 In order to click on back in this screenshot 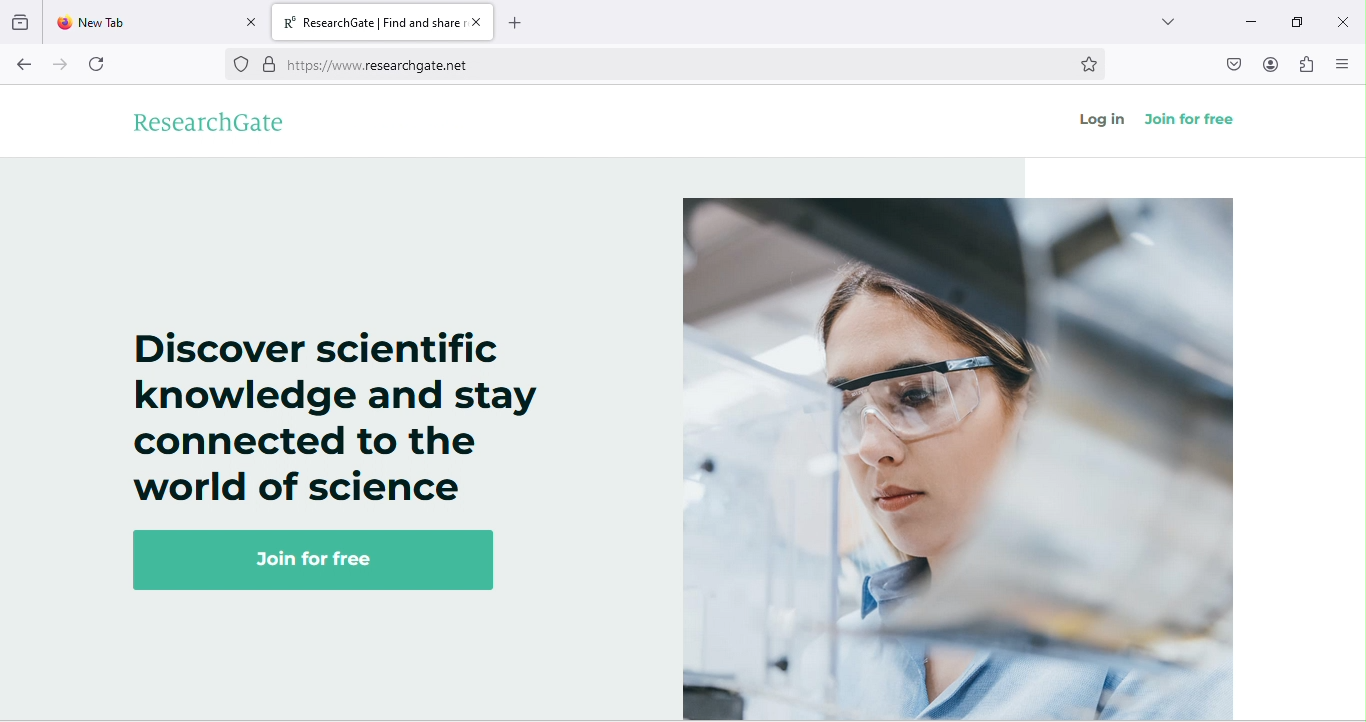, I will do `click(24, 67)`.